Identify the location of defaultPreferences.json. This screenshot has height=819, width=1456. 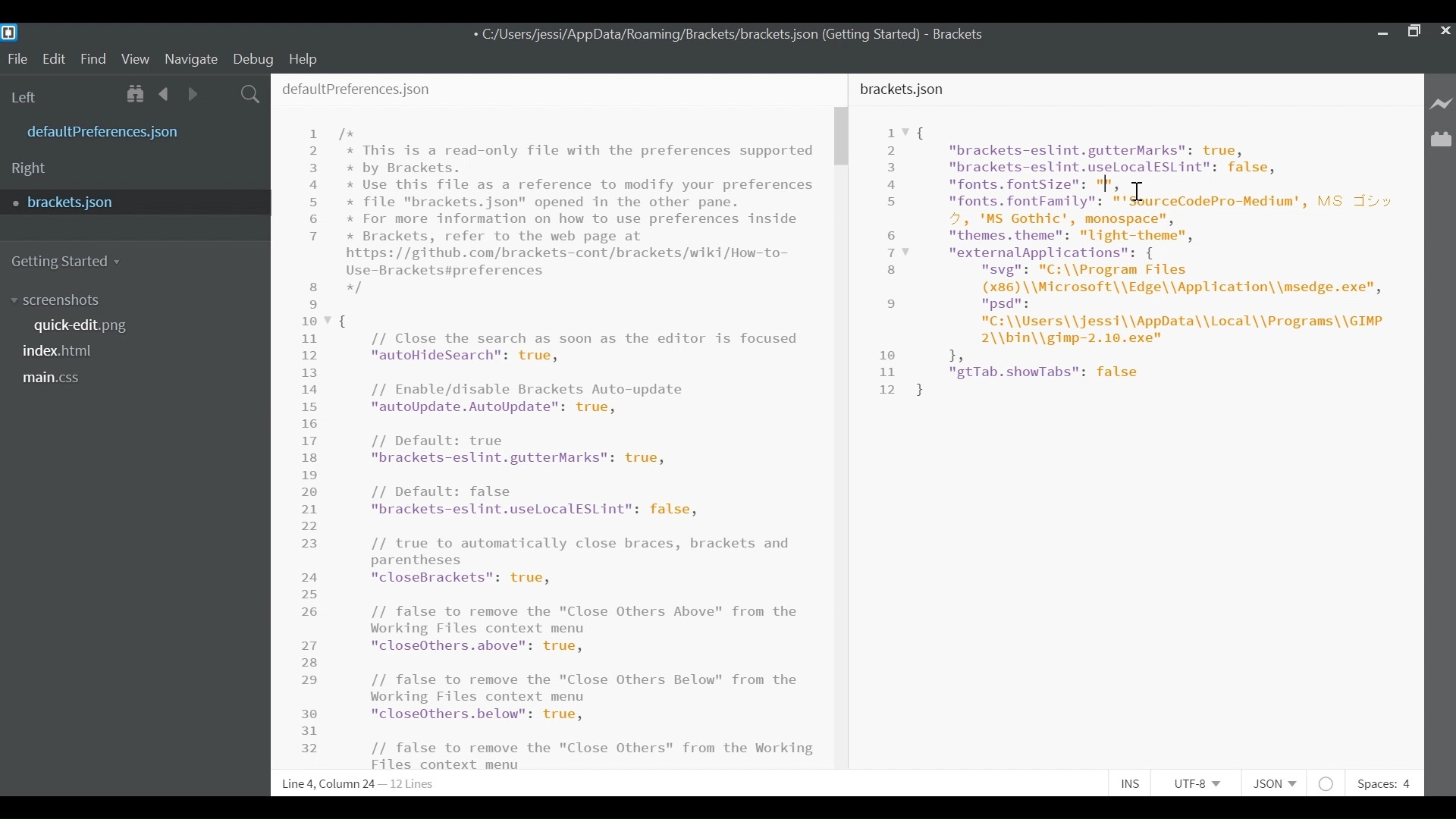
(356, 86).